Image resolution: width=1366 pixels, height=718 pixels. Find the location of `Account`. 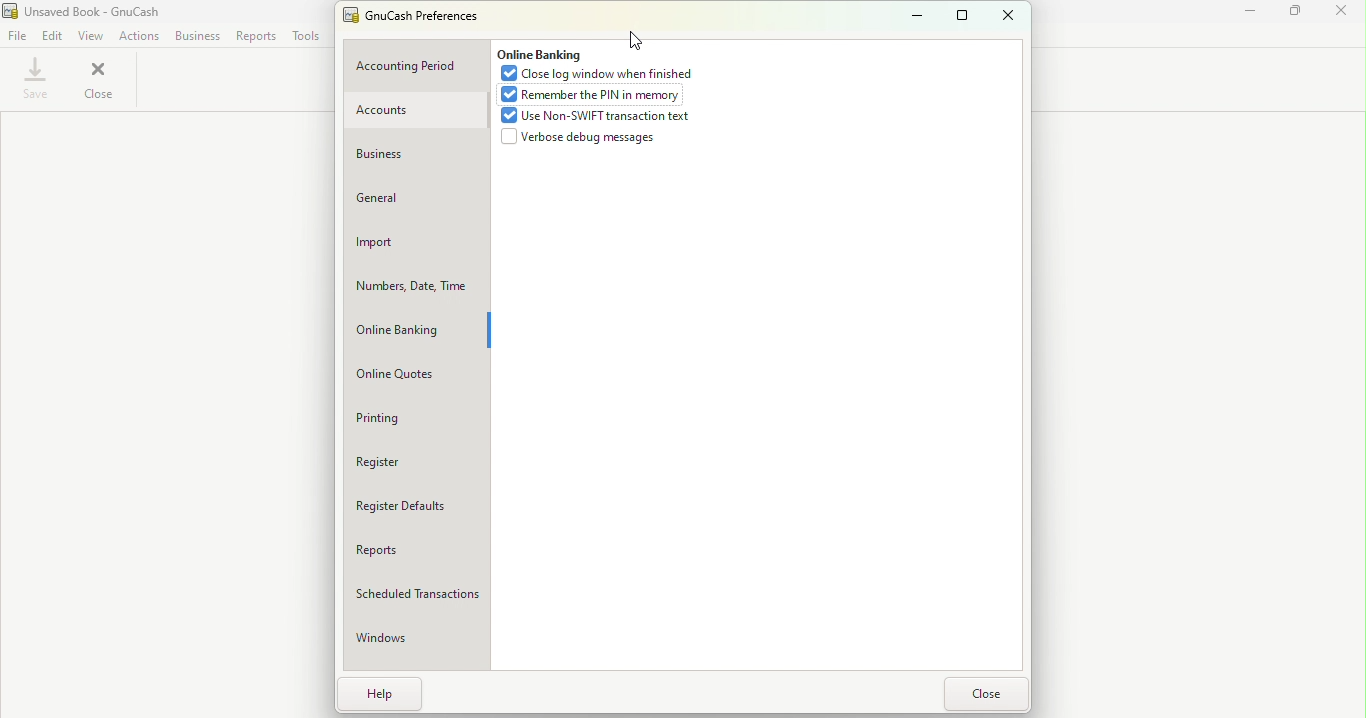

Account is located at coordinates (412, 111).